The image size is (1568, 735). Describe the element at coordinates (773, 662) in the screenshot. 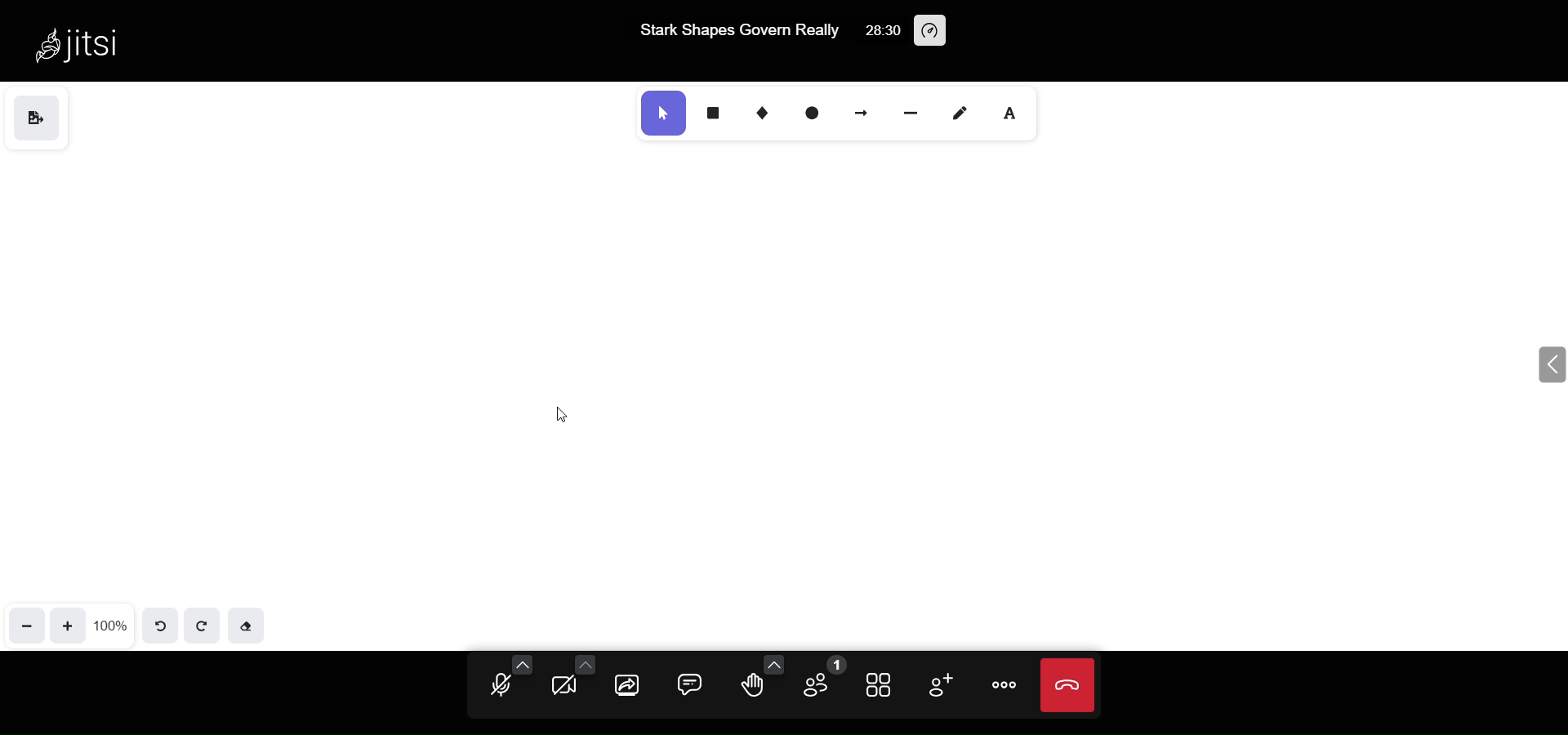

I see `more emoji` at that location.